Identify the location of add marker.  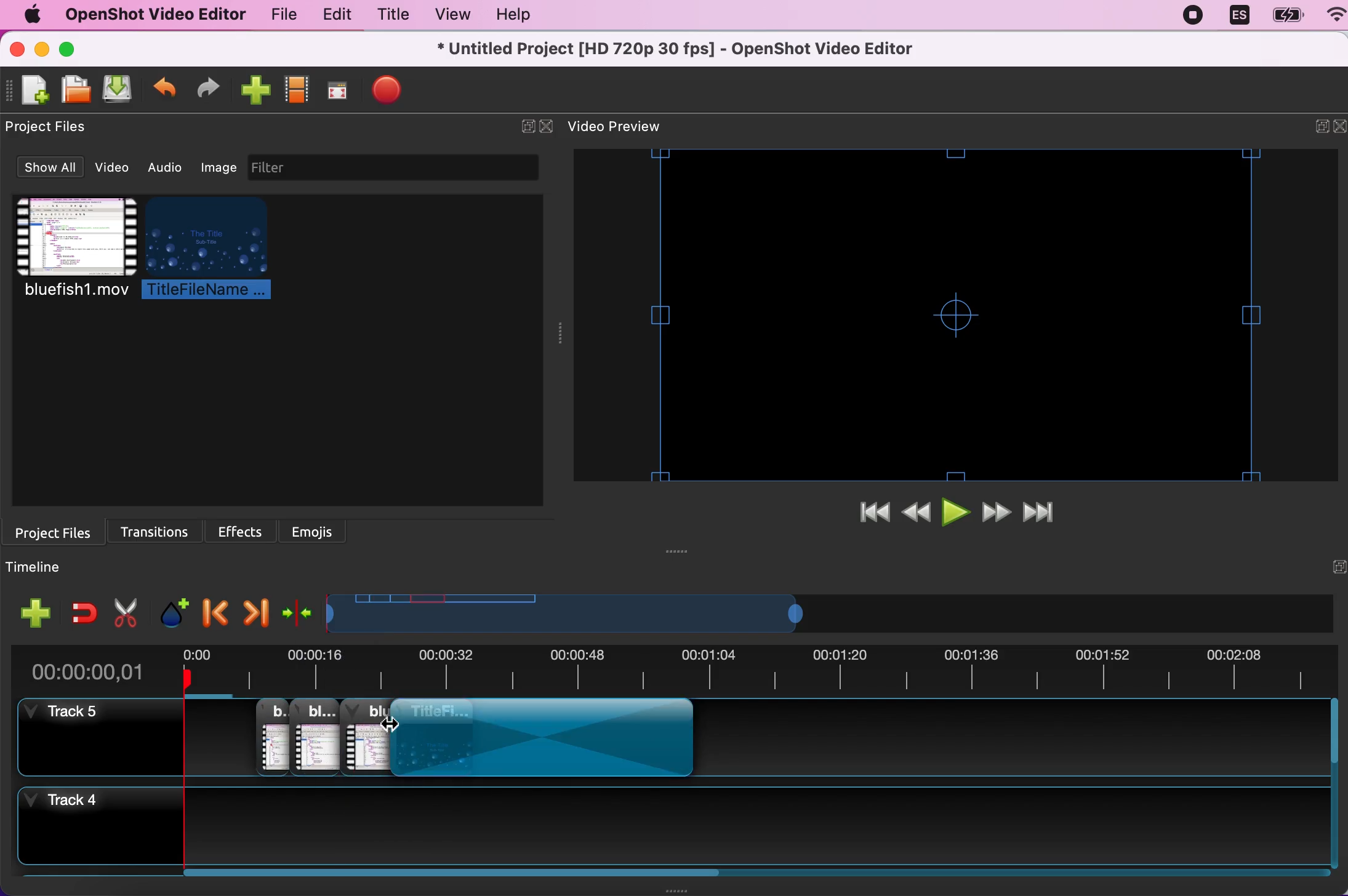
(173, 607).